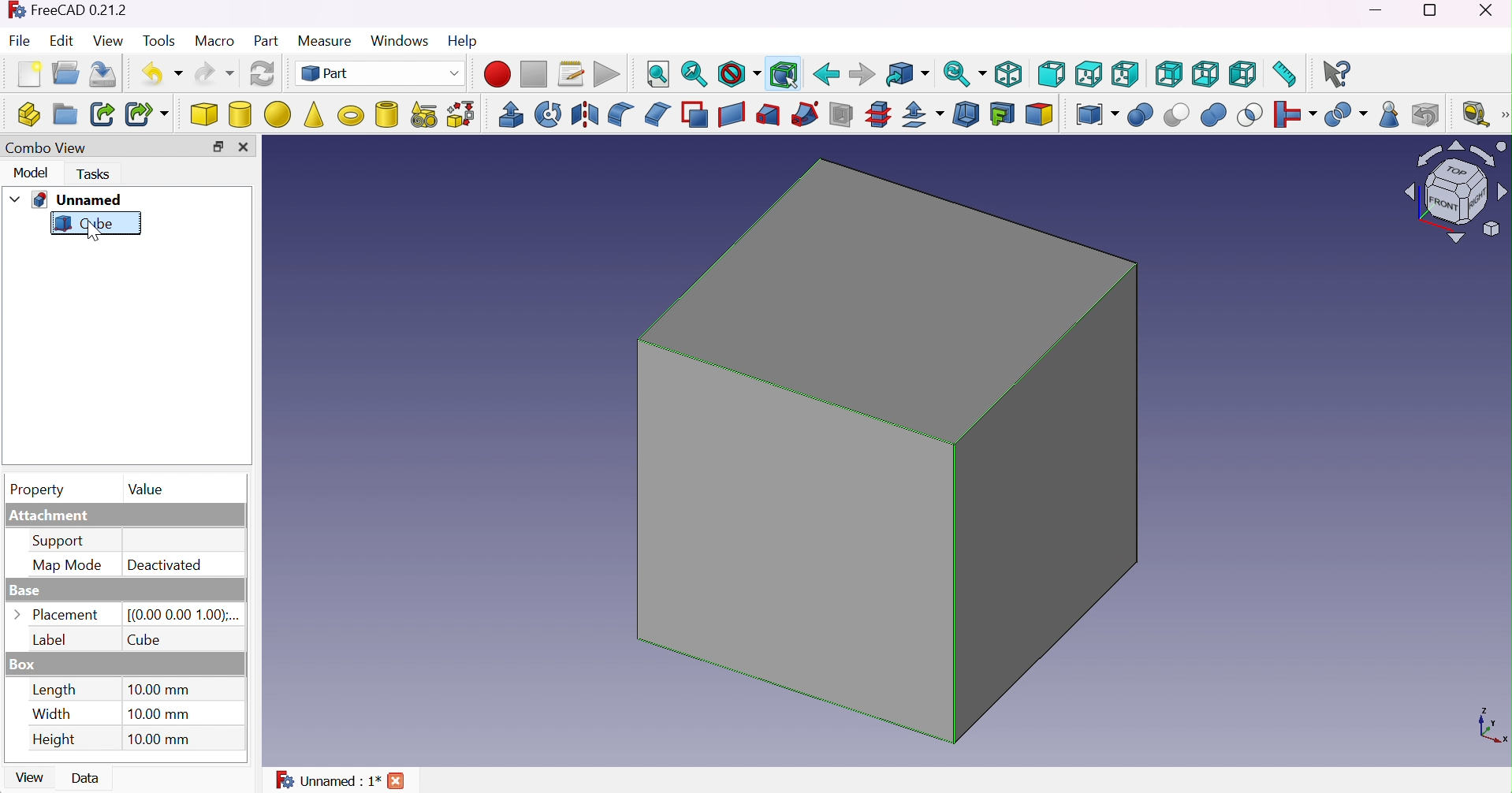 Image resolution: width=1512 pixels, height=793 pixels. What do you see at coordinates (158, 715) in the screenshot?
I see `10.00 mm` at bounding box center [158, 715].